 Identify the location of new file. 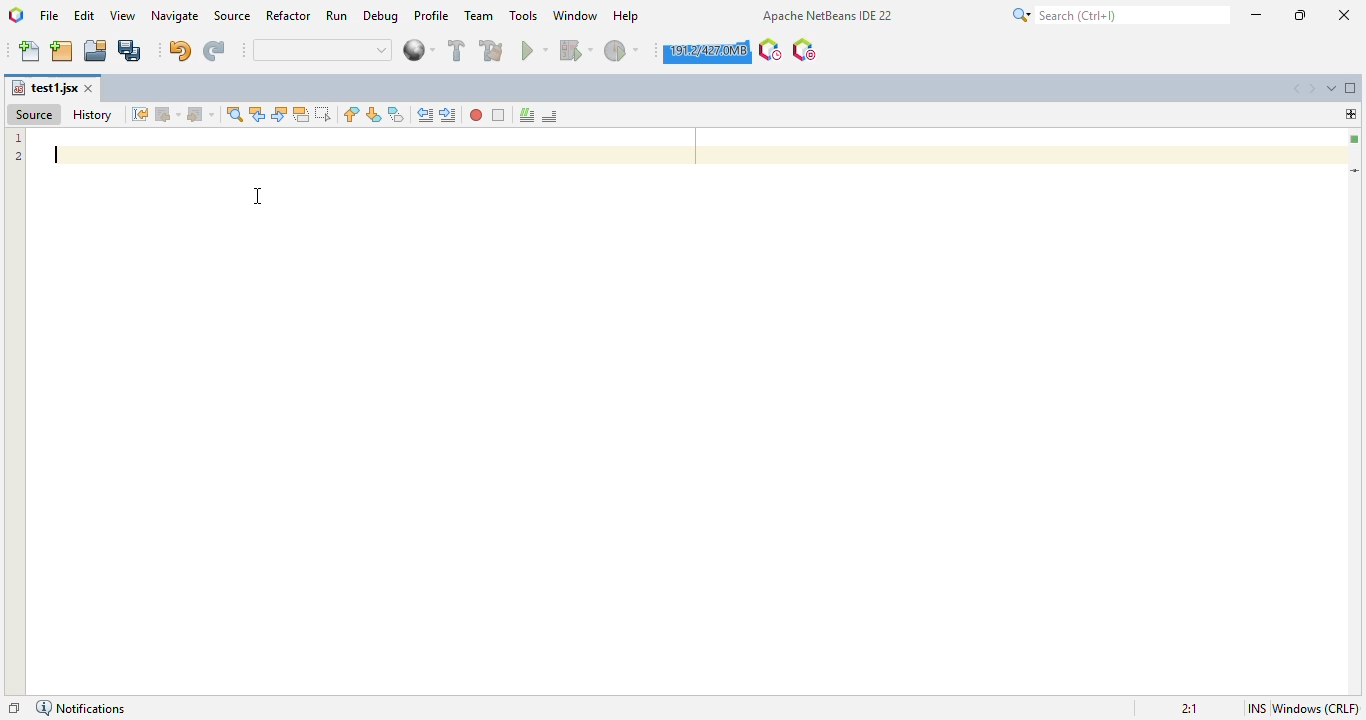
(30, 51).